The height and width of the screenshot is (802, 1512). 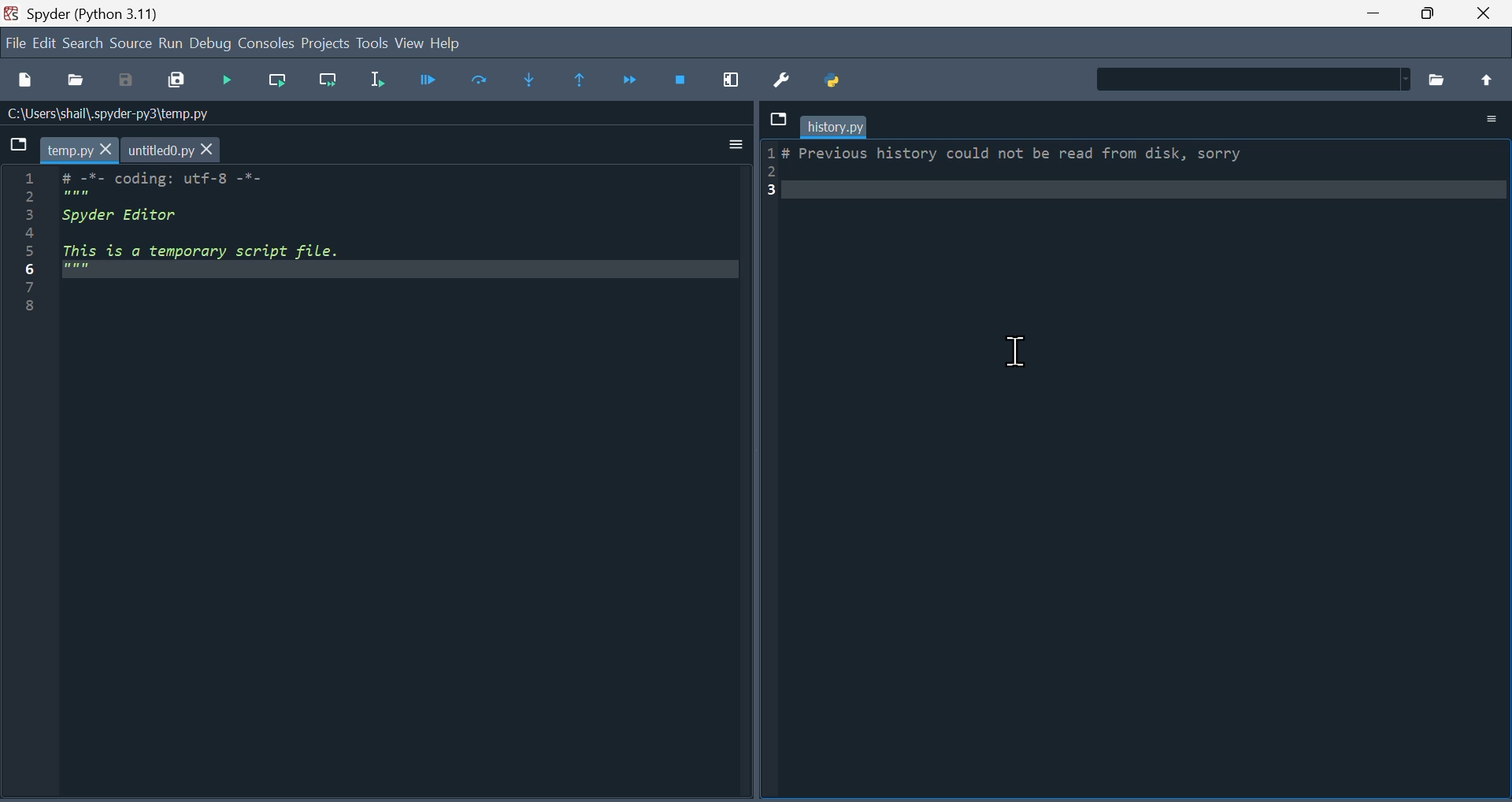 I want to click on Browse, so click(x=1441, y=78).